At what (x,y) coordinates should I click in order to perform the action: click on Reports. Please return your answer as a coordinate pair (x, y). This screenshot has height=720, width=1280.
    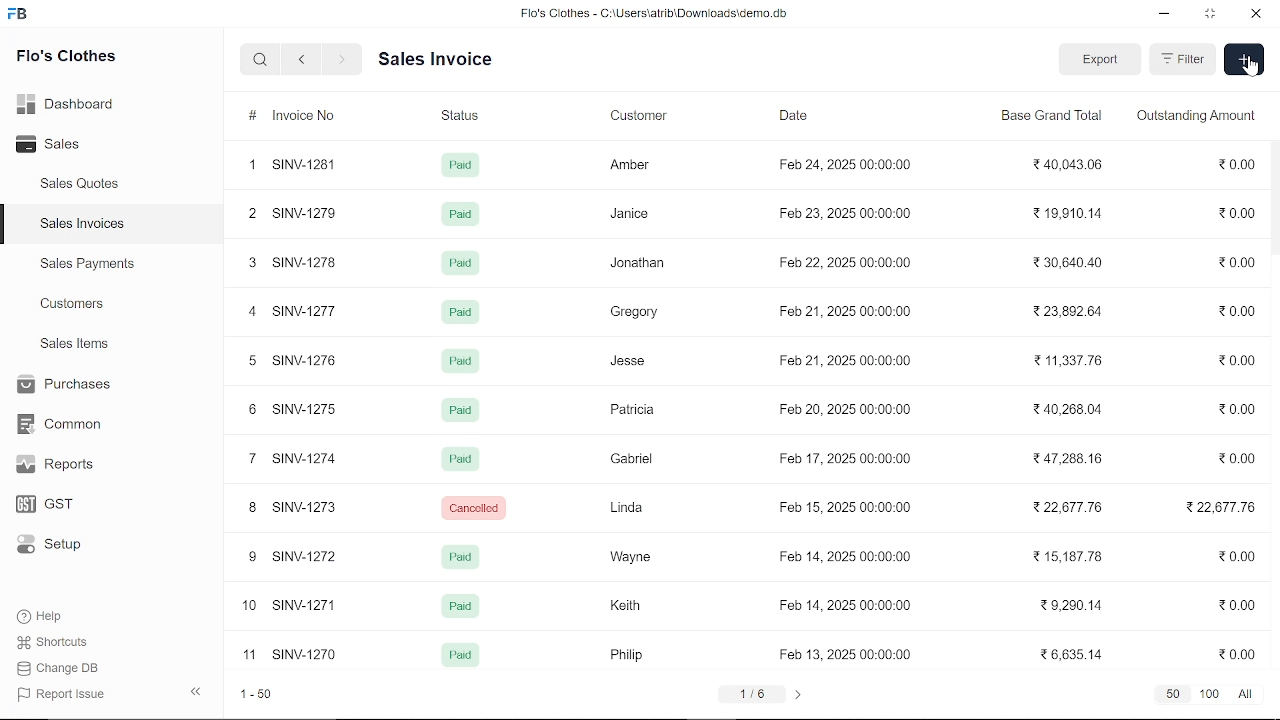
    Looking at the image, I should click on (60, 465).